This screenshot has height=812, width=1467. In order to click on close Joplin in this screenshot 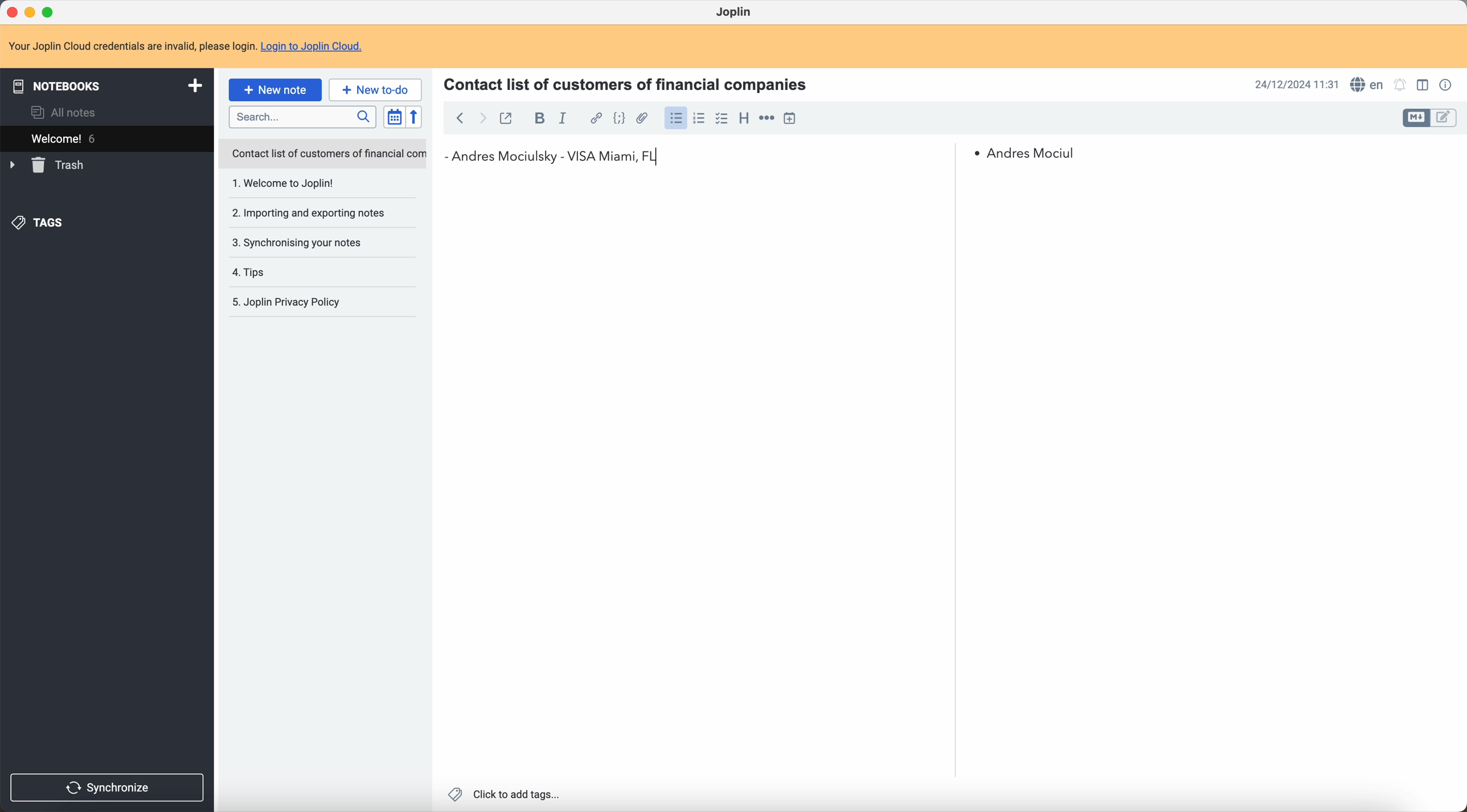, I will do `click(11, 11)`.